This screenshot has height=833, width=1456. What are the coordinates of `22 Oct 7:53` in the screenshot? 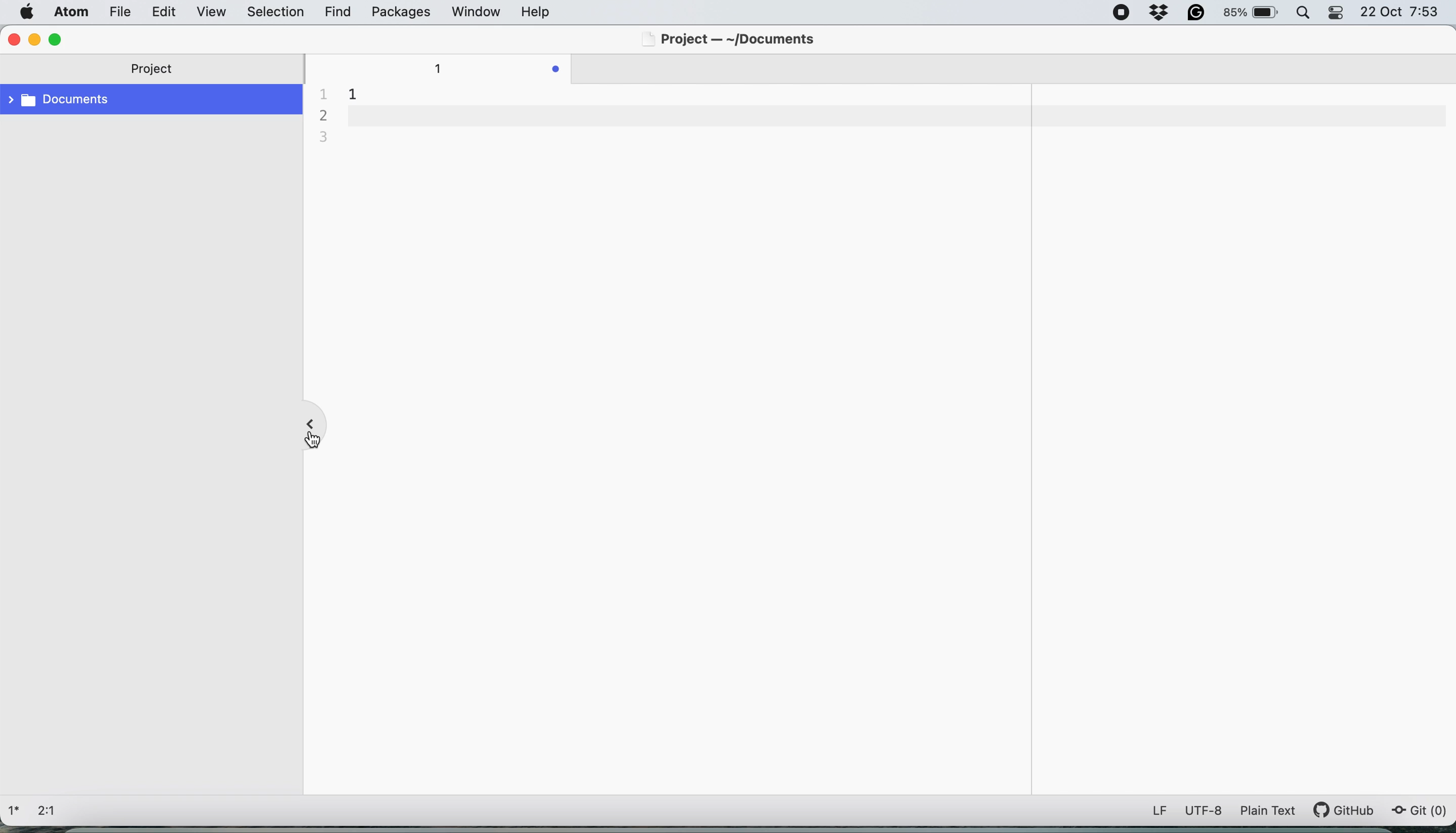 It's located at (1403, 14).